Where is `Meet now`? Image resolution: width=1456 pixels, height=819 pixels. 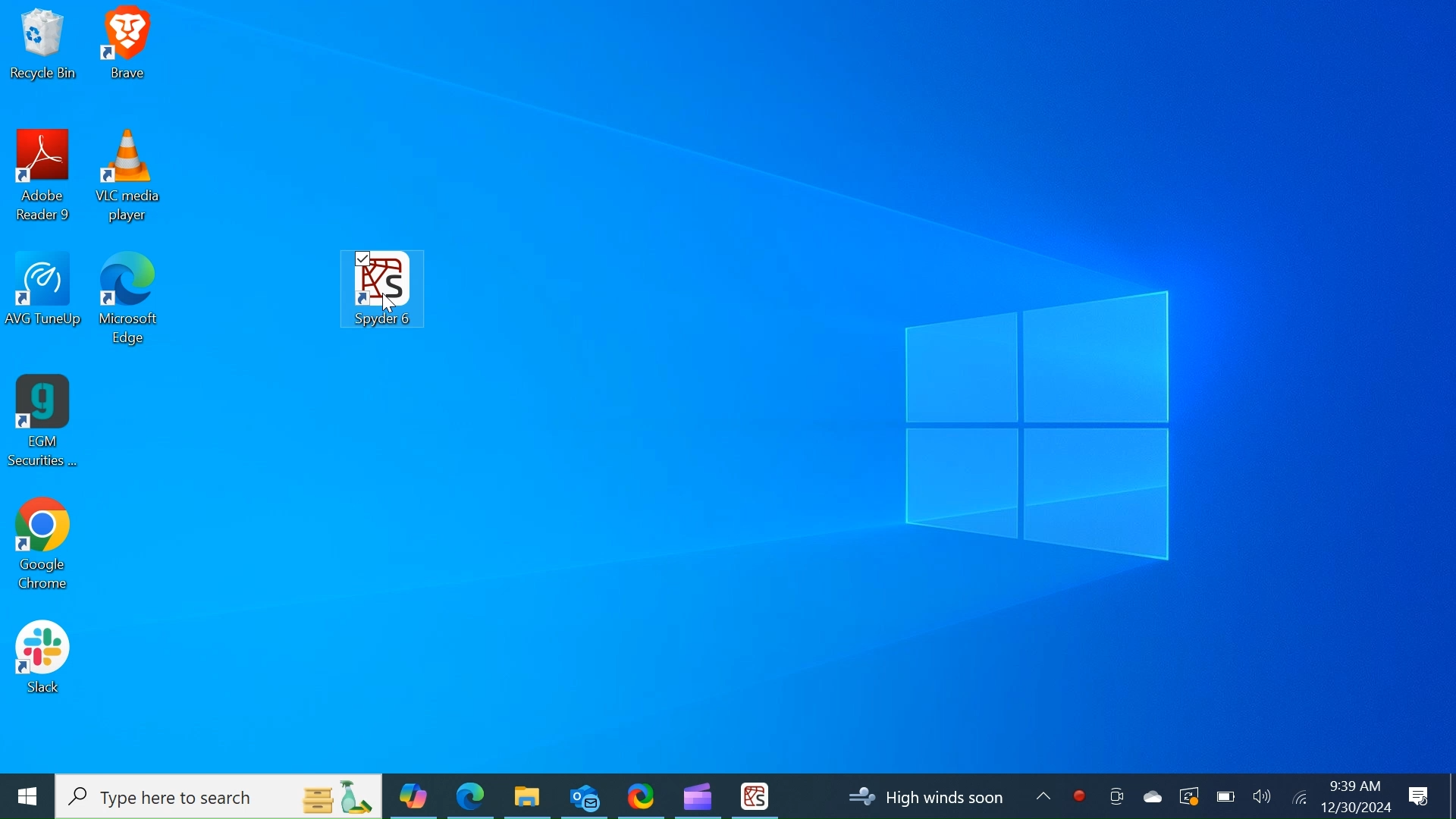
Meet now is located at coordinates (1116, 796).